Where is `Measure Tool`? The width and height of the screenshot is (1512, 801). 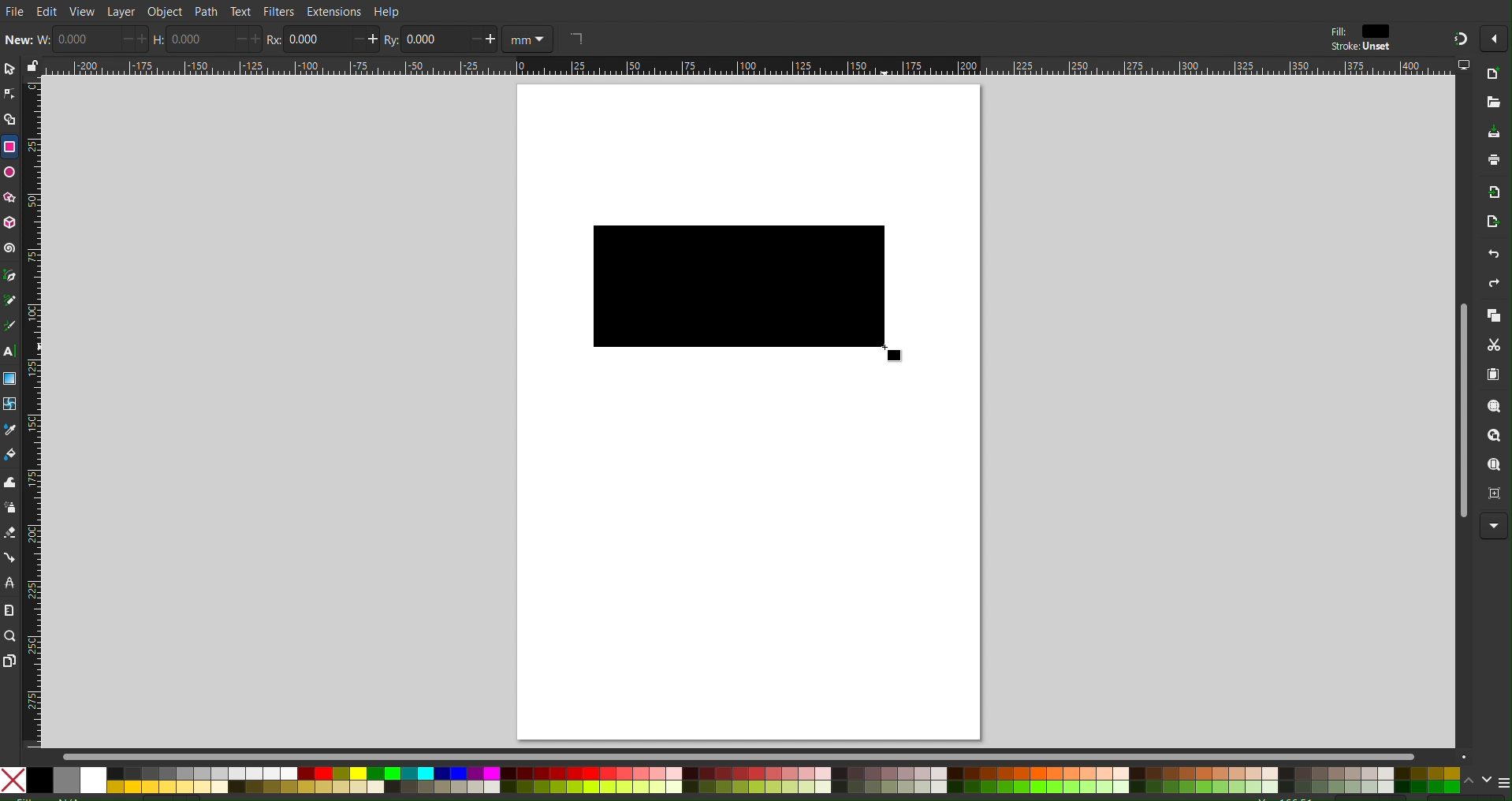
Measure Tool is located at coordinates (9, 610).